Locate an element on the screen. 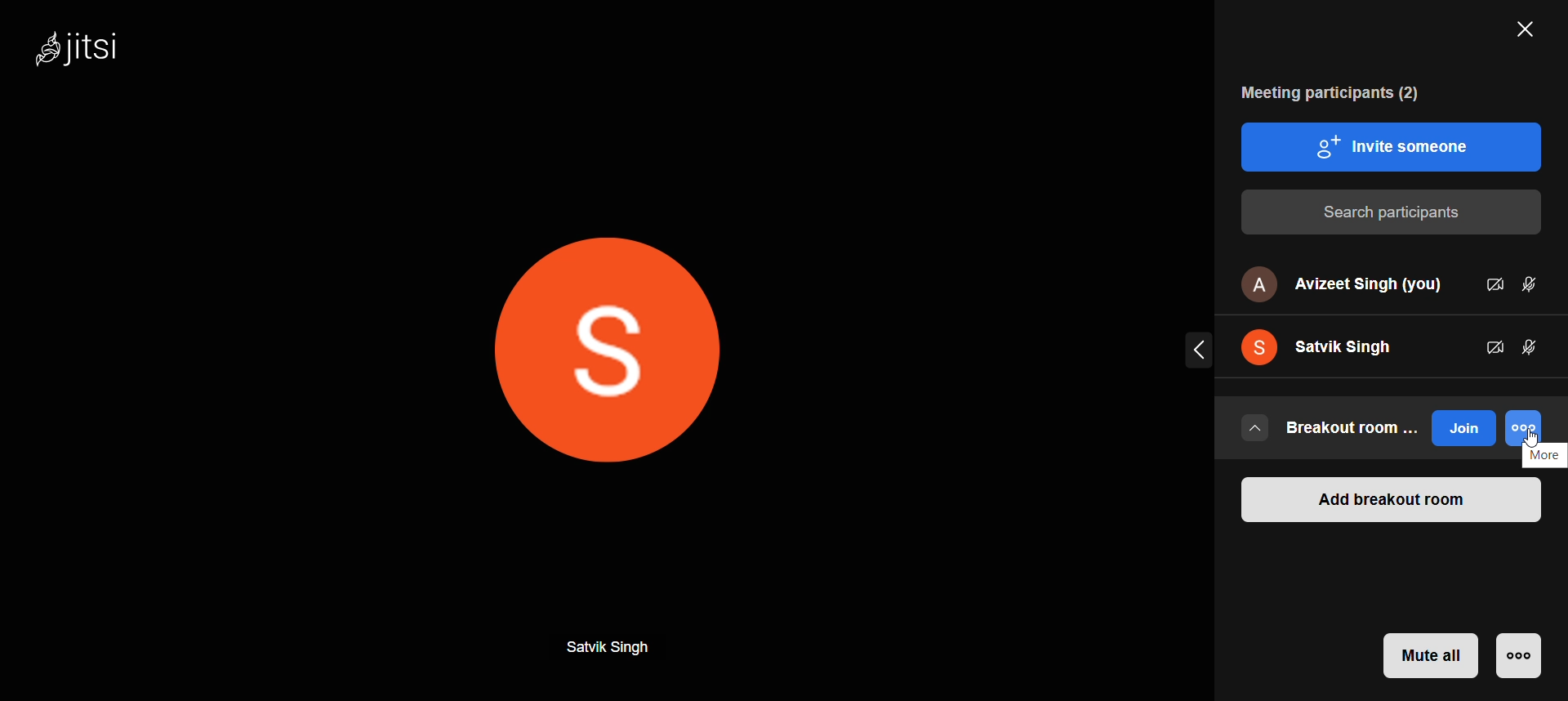  Satvik Singh is located at coordinates (612, 646).